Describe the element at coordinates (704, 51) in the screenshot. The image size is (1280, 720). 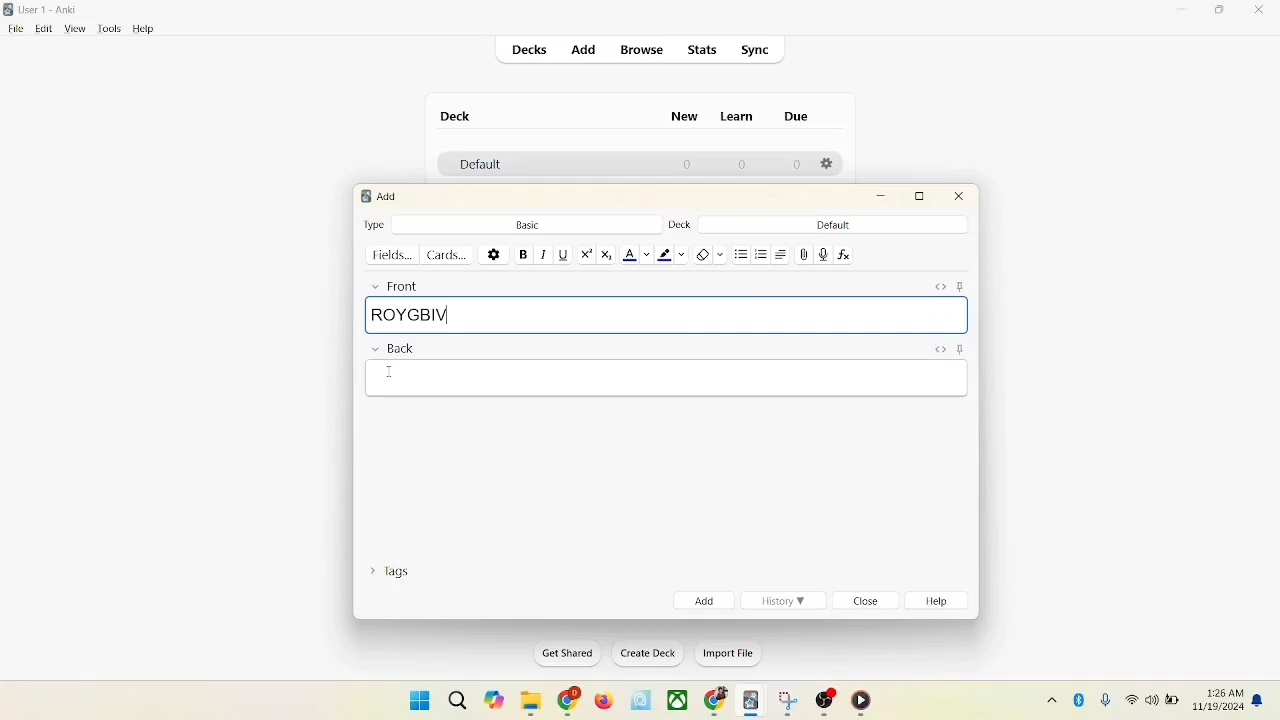
I see `stats` at that location.